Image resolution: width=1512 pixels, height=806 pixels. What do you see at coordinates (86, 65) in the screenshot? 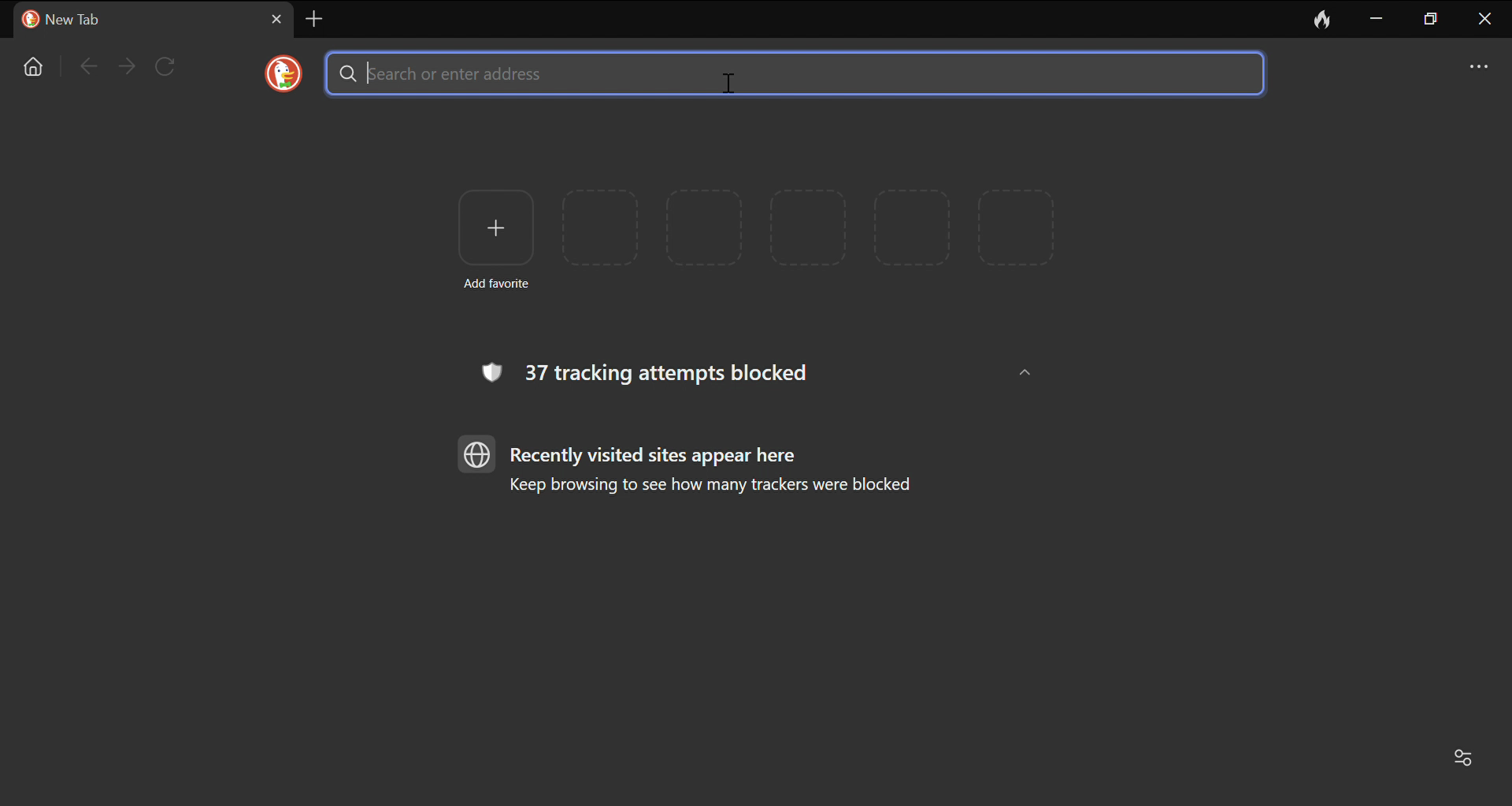
I see `Go back` at bounding box center [86, 65].